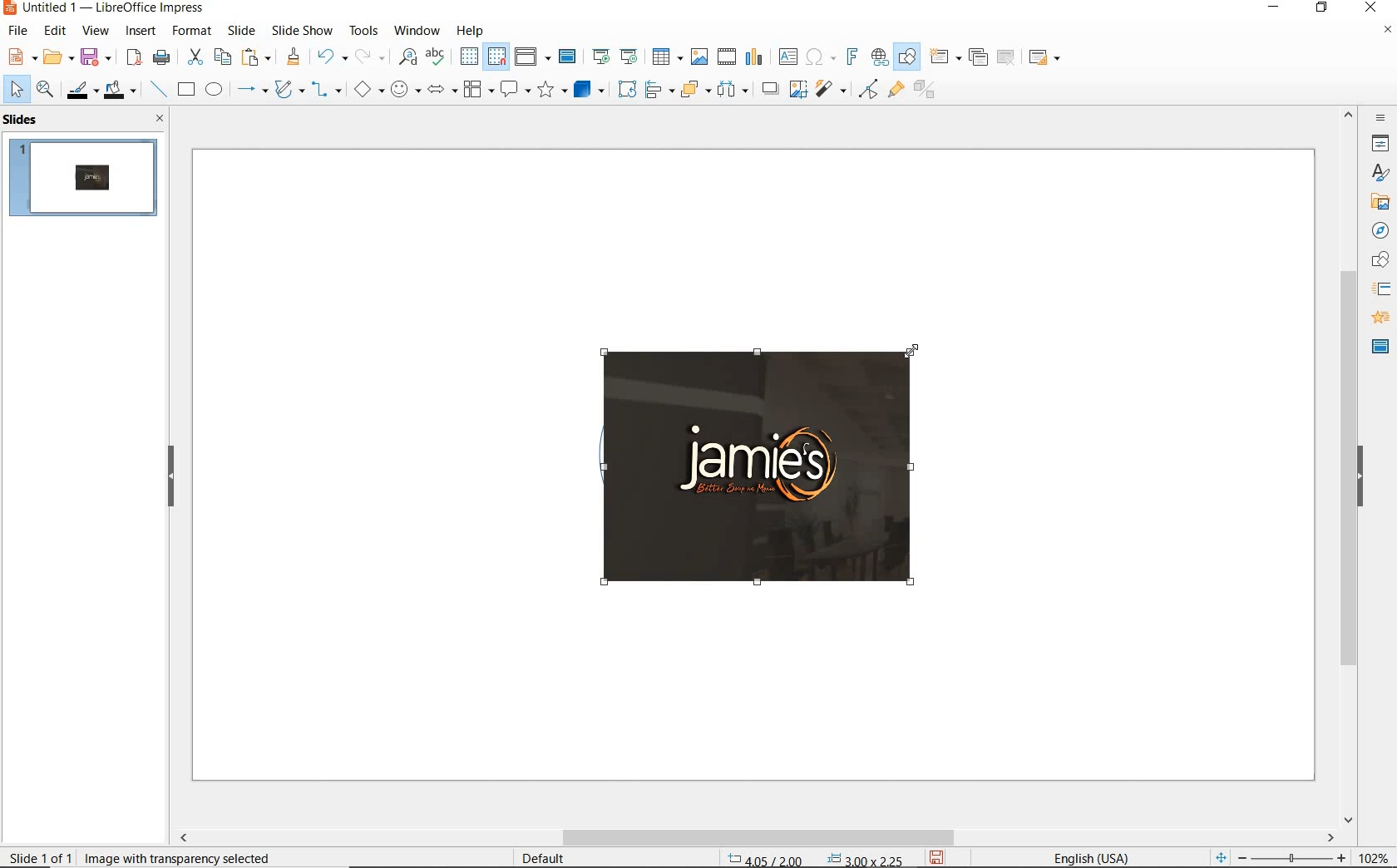  I want to click on display views, so click(533, 58).